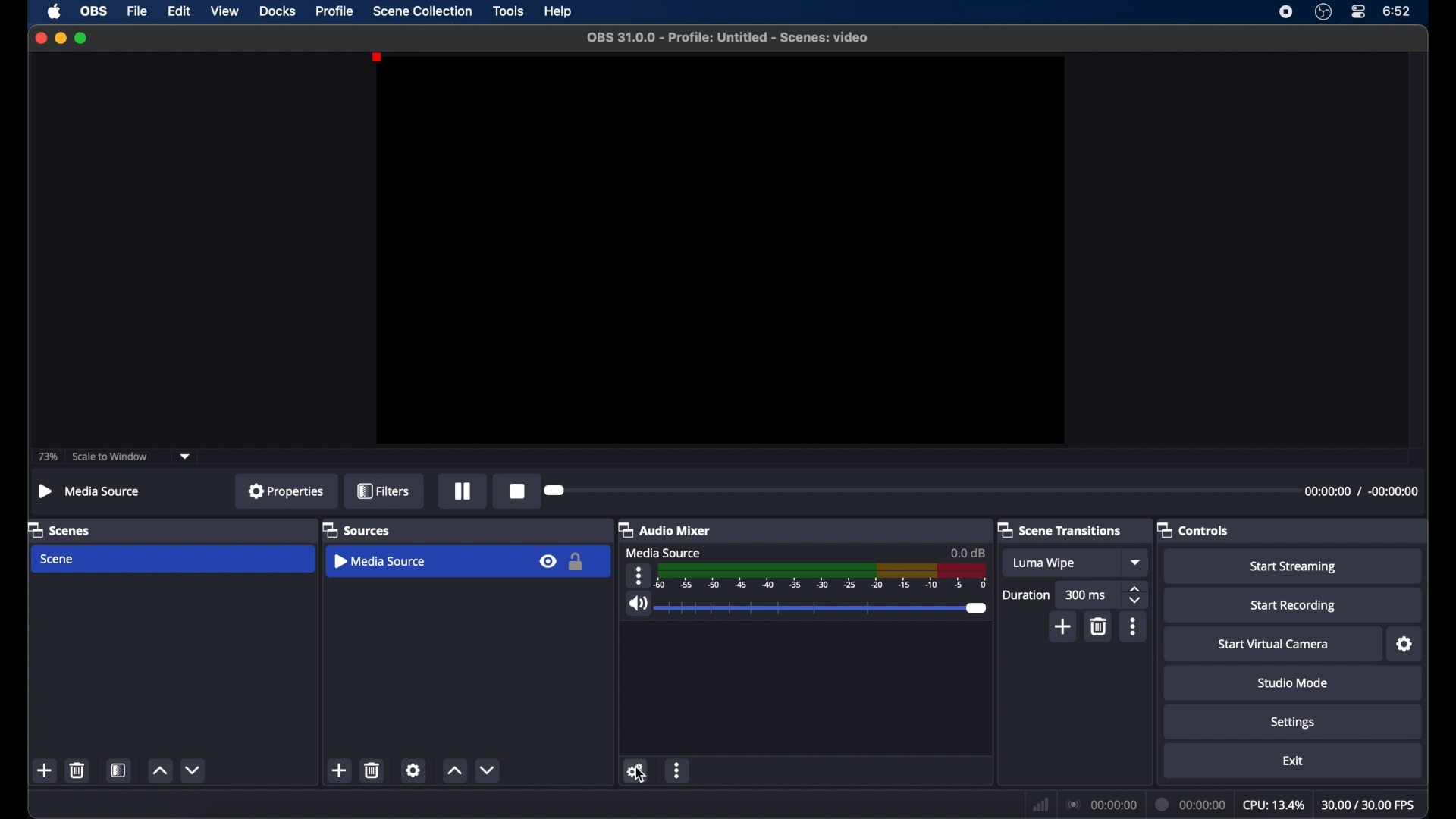 The width and height of the screenshot is (1456, 819). Describe the element at coordinates (224, 11) in the screenshot. I see `view` at that location.